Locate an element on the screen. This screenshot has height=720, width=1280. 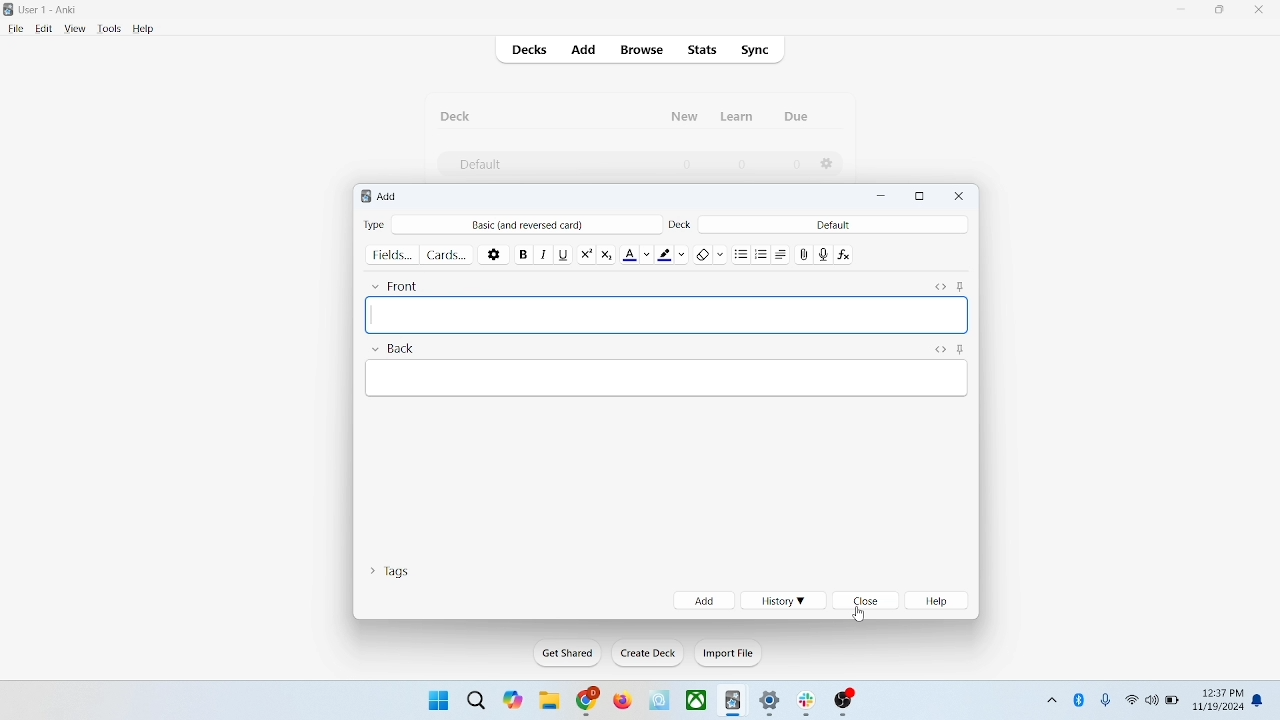
blank space is located at coordinates (668, 377).